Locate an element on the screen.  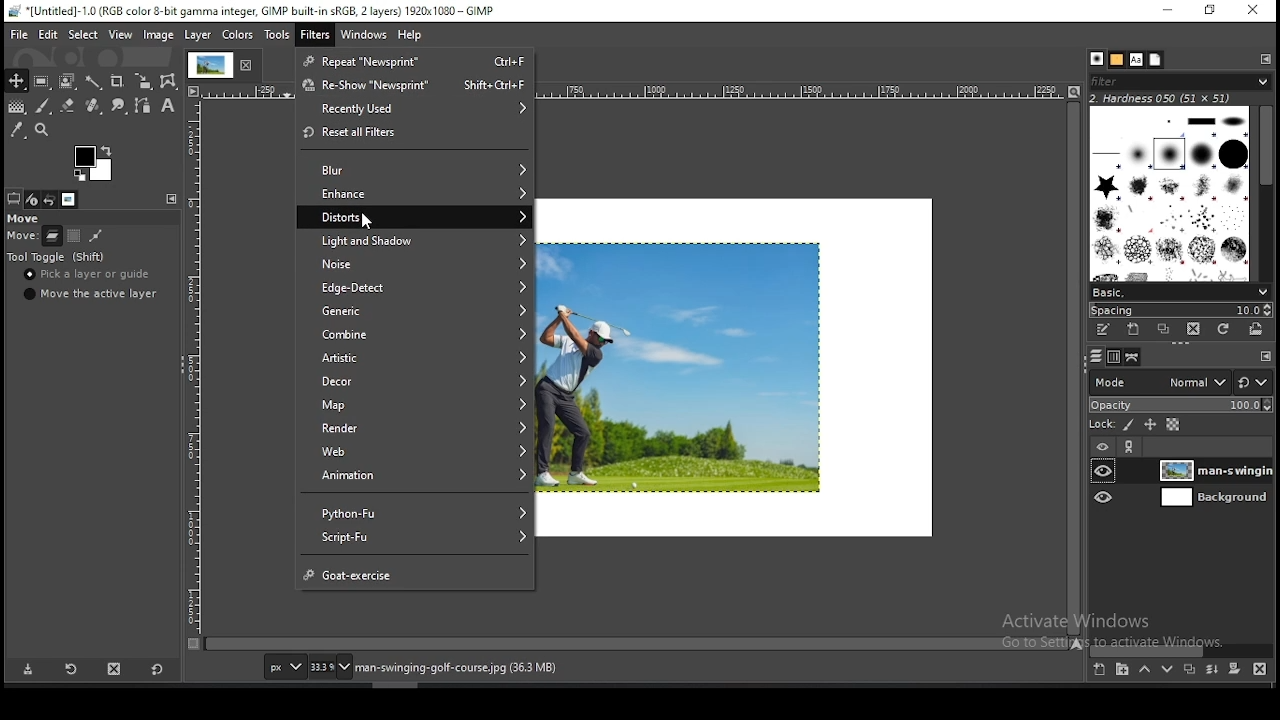
duplicate brush is located at coordinates (1162, 330).